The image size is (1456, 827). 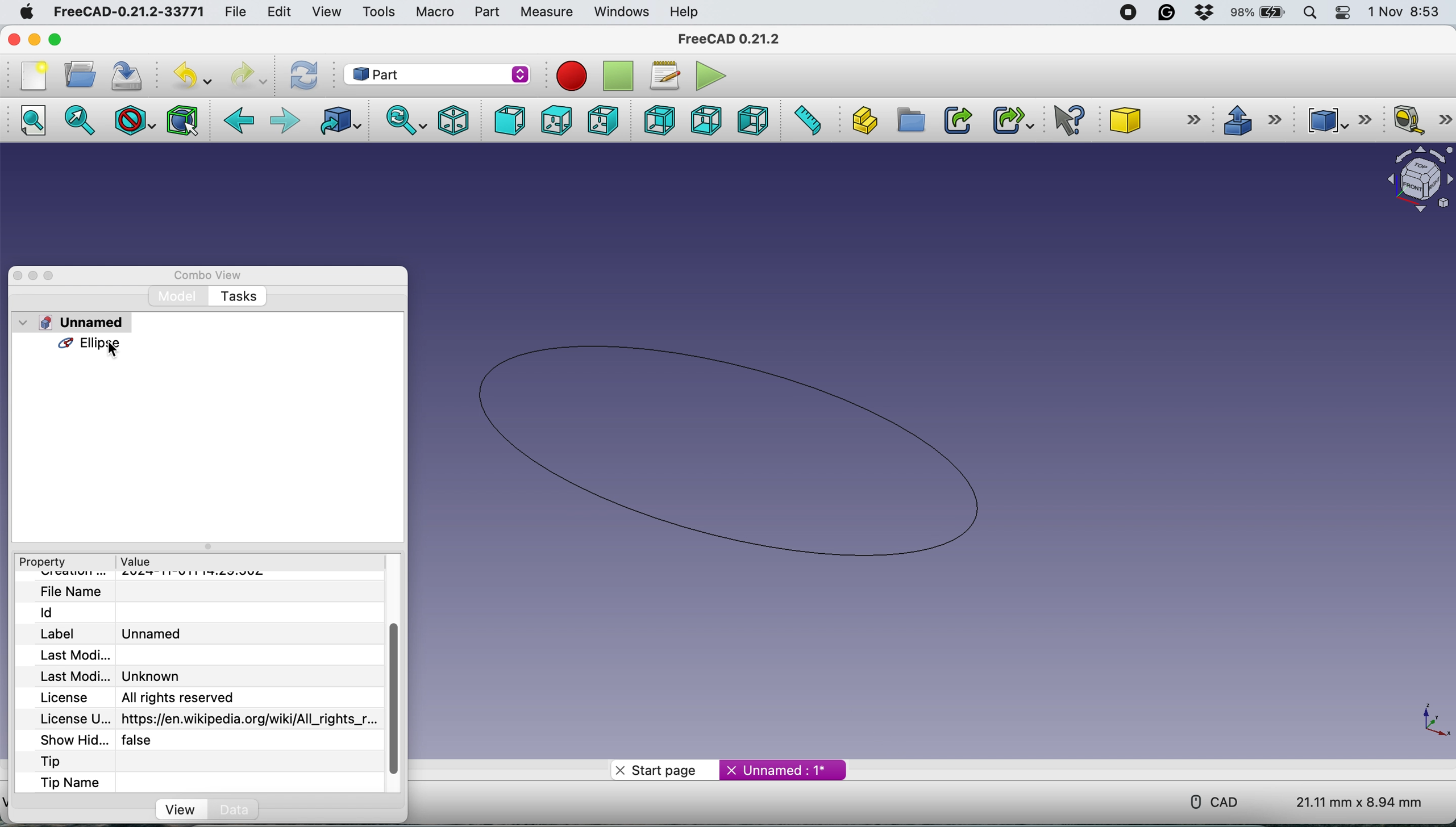 I want to click on create part, so click(x=860, y=121).